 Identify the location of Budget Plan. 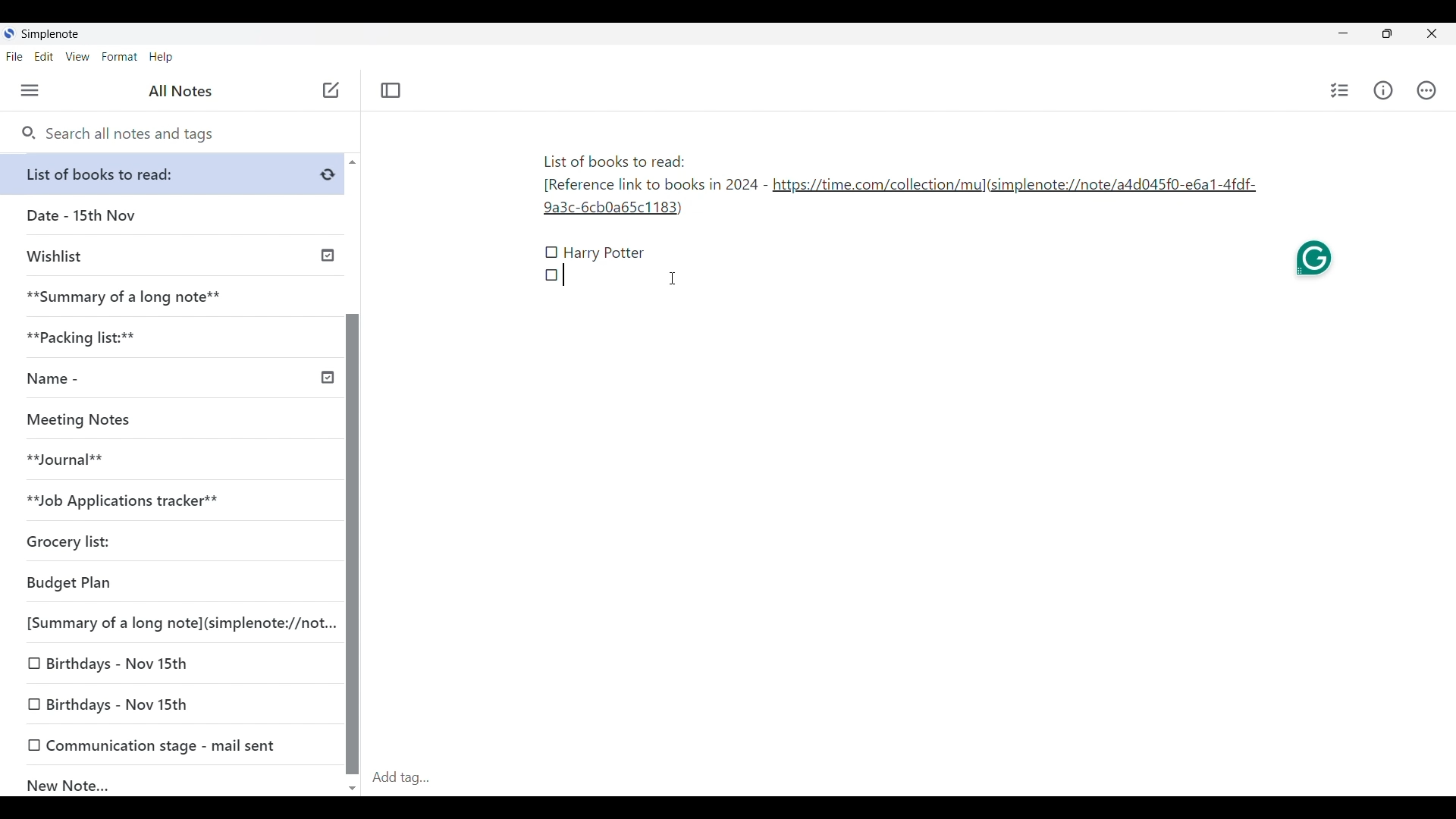
(170, 584).